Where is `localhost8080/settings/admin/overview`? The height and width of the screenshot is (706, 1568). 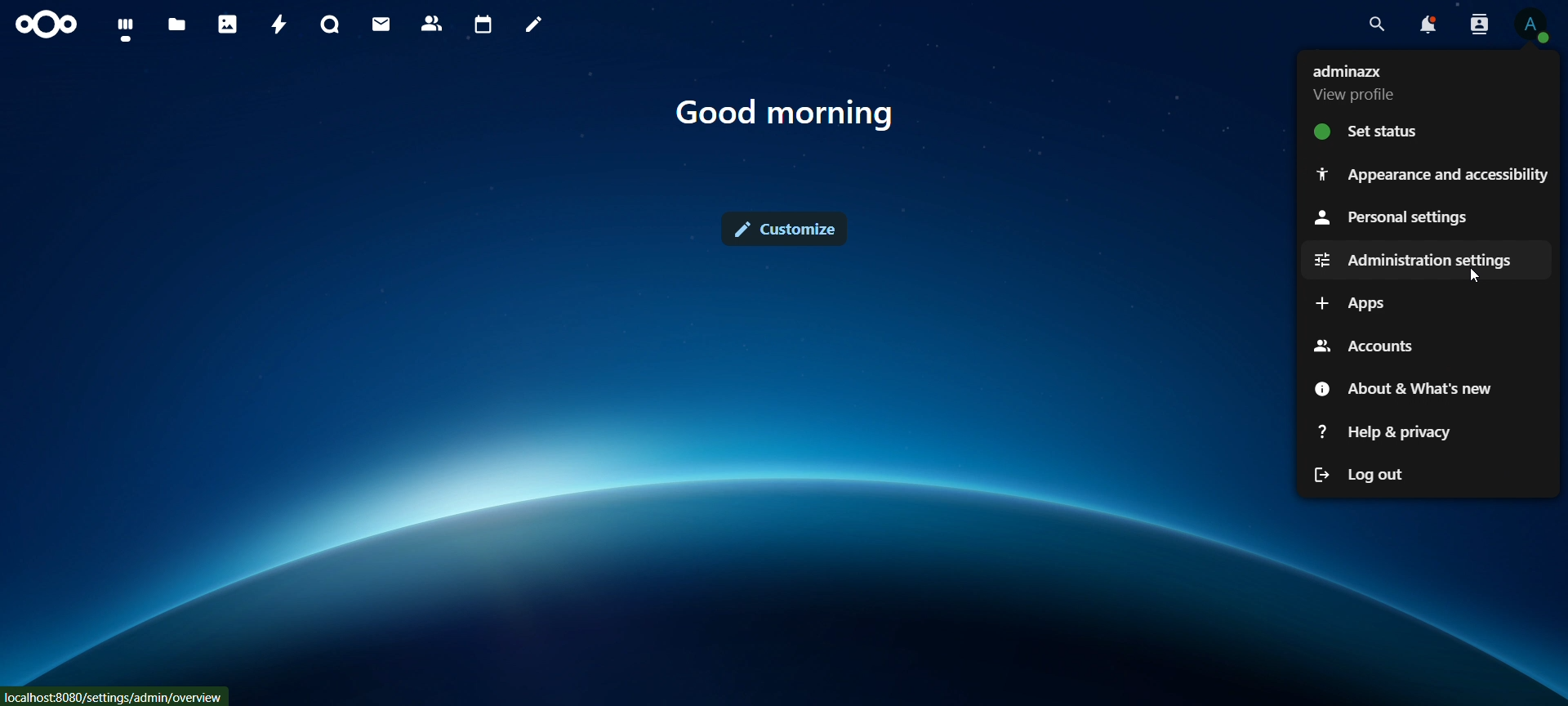
localhost8080/settings/admin/overview is located at coordinates (111, 694).